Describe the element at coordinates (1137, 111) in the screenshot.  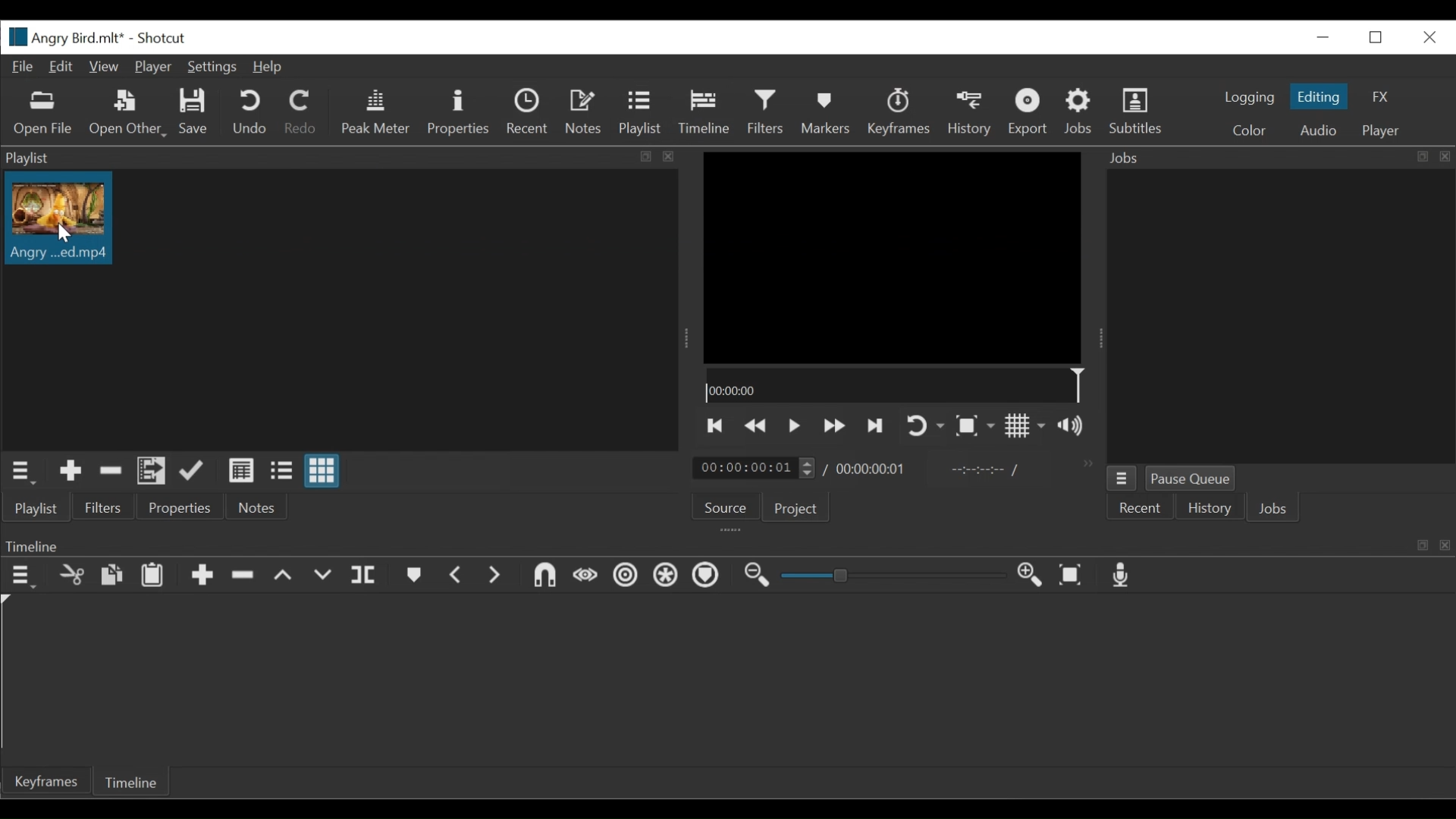
I see `Subtitles` at that location.